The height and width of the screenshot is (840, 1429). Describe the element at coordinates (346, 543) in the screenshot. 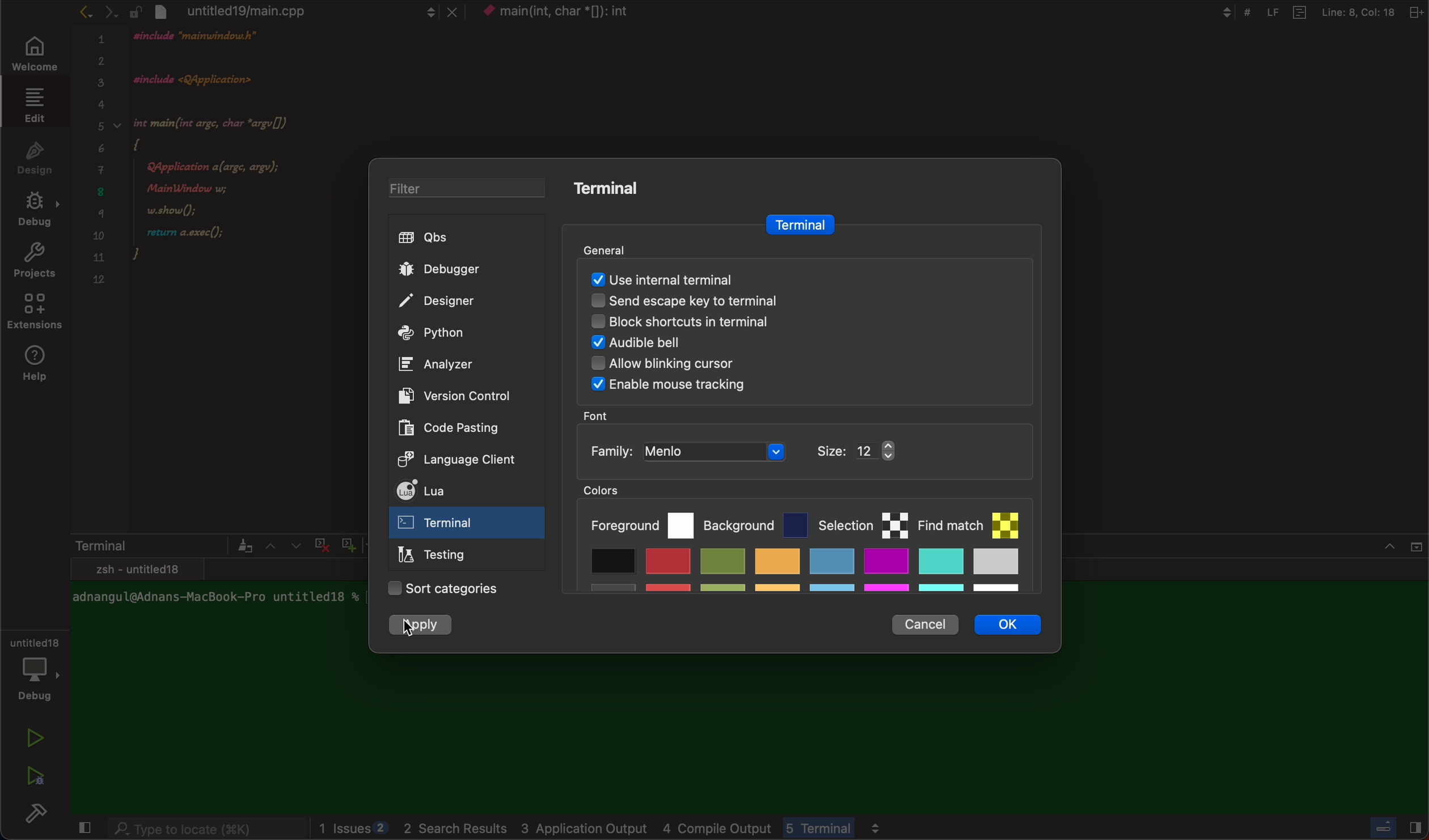

I see `plus` at that location.